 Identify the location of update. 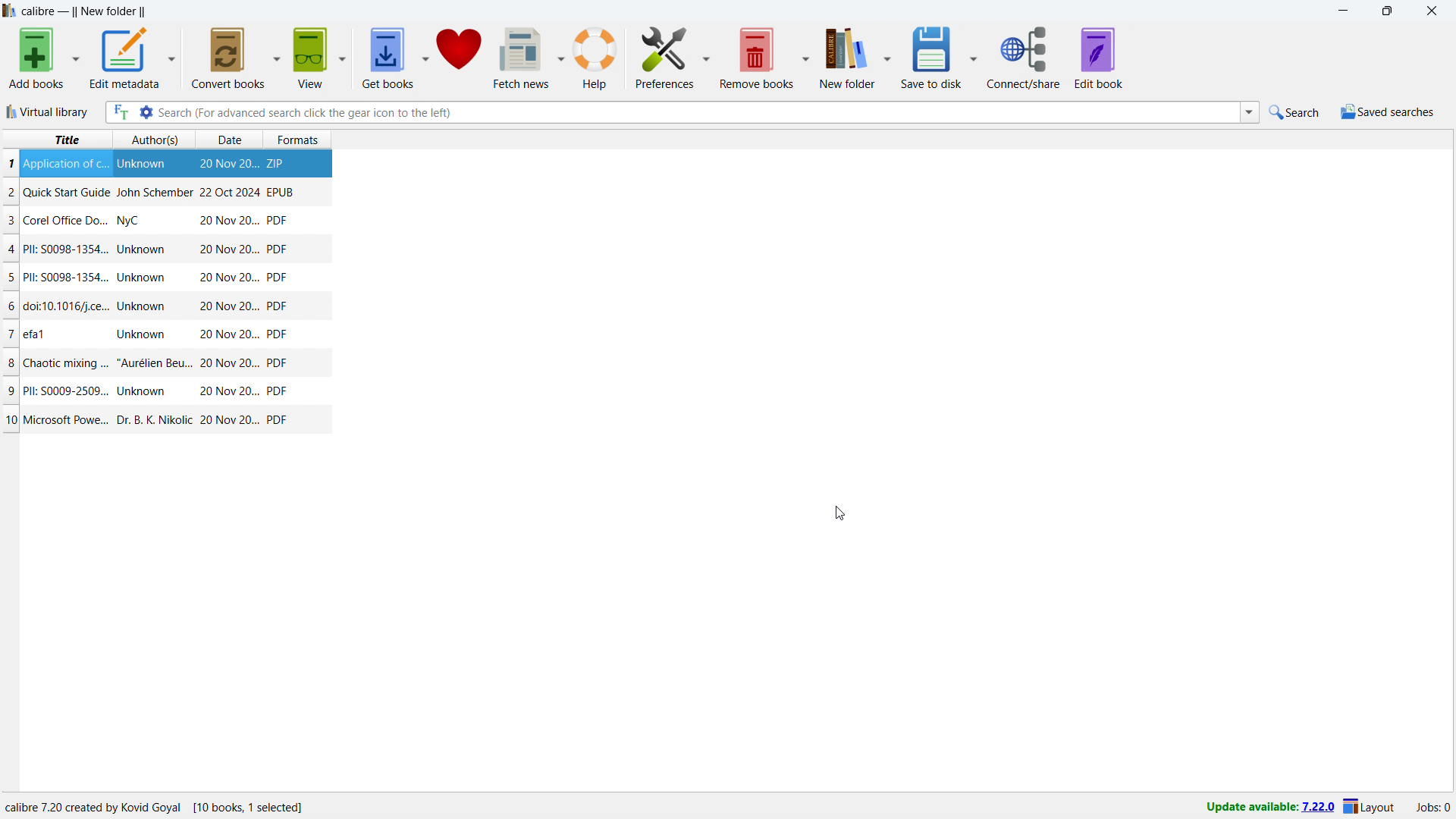
(1269, 808).